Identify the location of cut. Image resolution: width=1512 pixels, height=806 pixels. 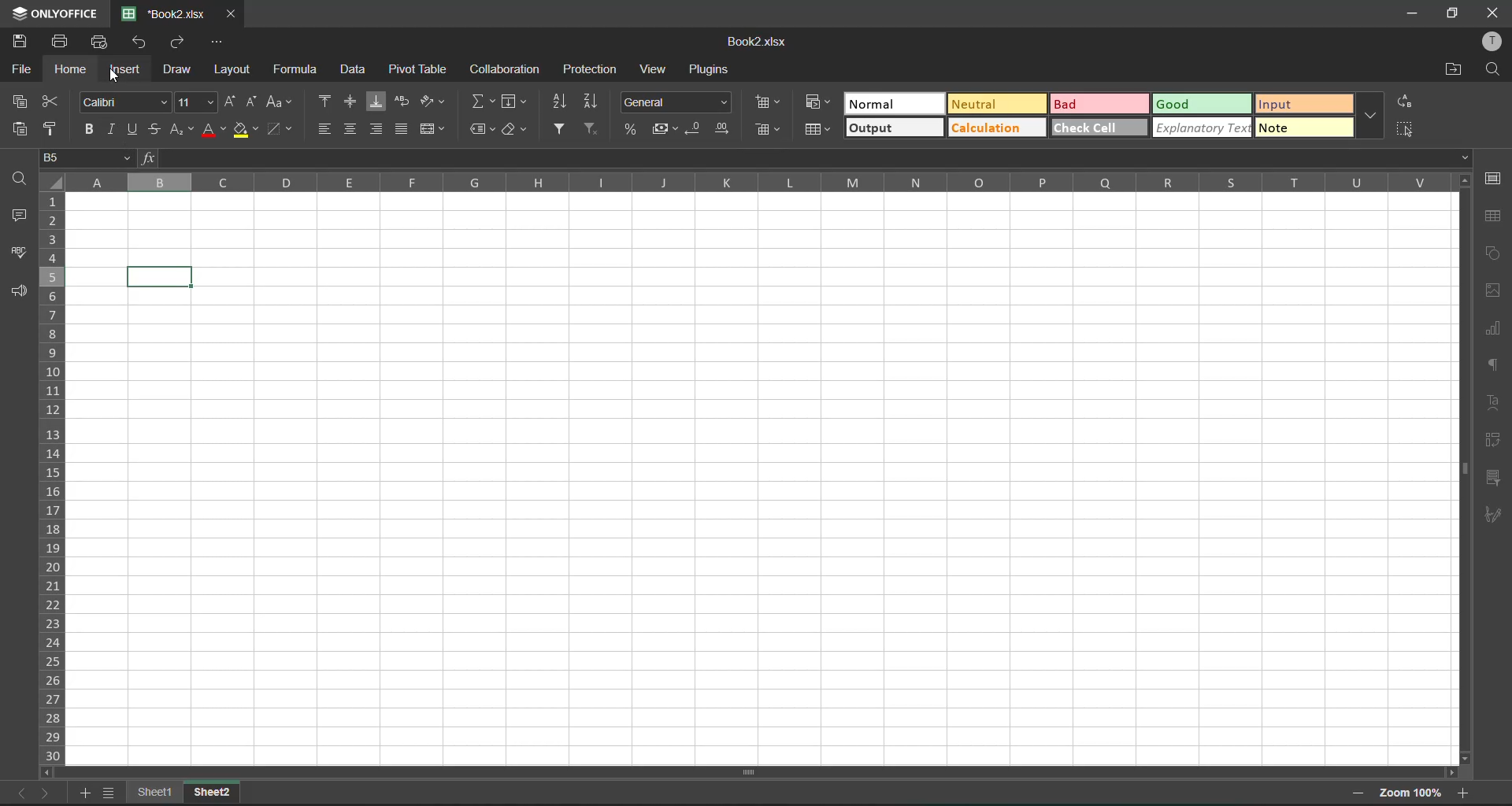
(54, 102).